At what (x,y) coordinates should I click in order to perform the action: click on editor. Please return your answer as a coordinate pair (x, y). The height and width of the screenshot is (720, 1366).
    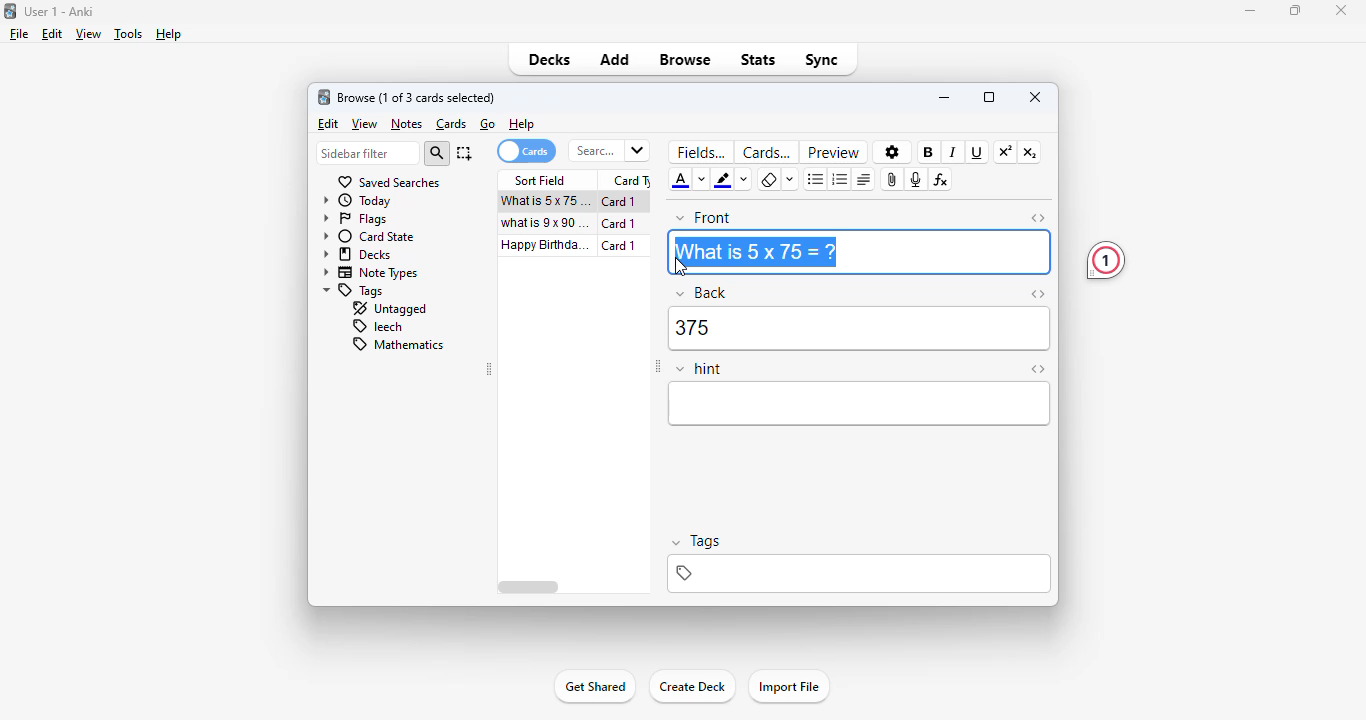
    Looking at the image, I should click on (860, 404).